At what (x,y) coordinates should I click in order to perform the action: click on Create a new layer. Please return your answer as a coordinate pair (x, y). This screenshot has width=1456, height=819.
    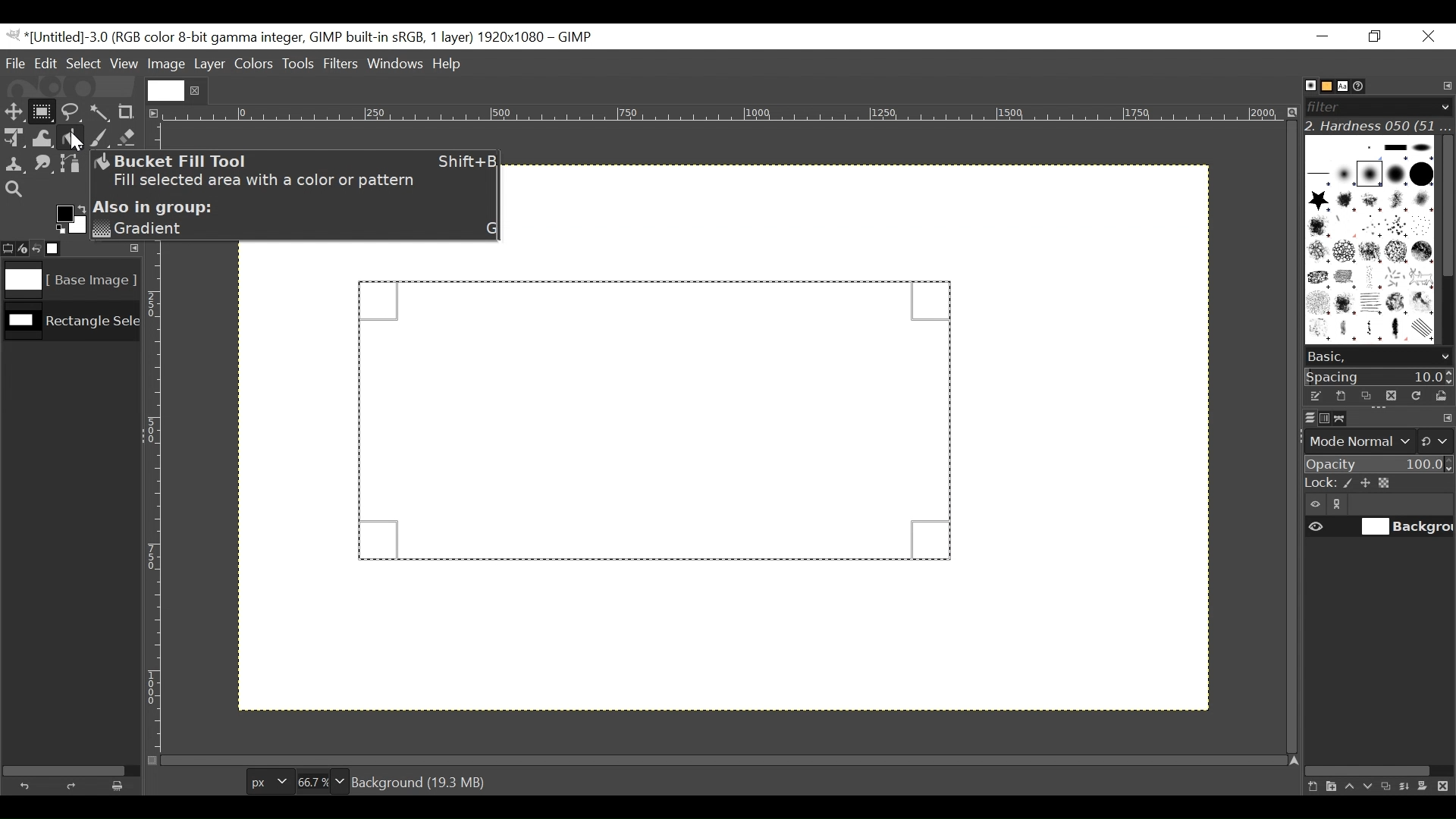
    Looking at the image, I should click on (1330, 786).